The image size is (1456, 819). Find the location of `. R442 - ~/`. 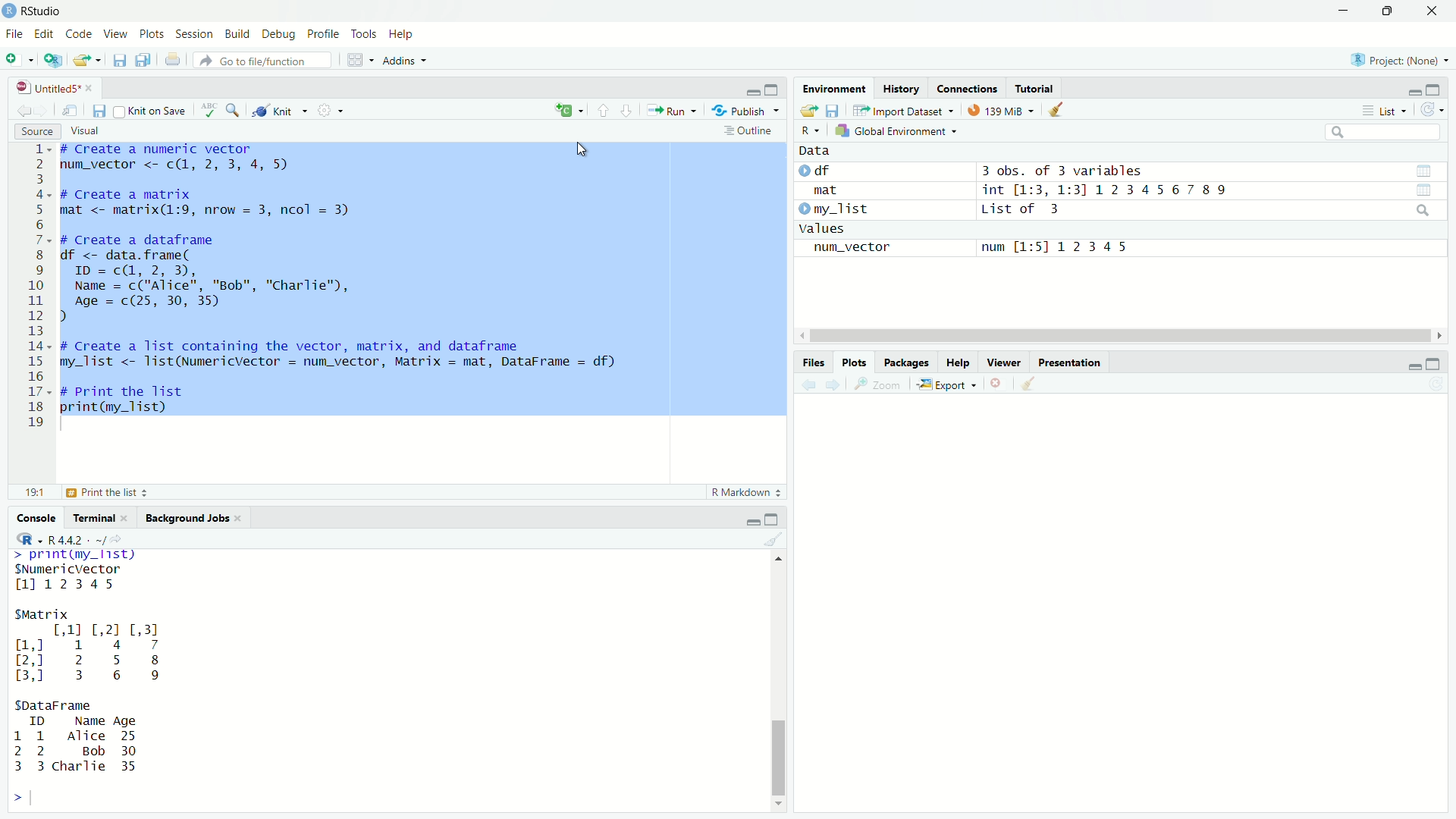

. R442 - ~/ is located at coordinates (63, 538).